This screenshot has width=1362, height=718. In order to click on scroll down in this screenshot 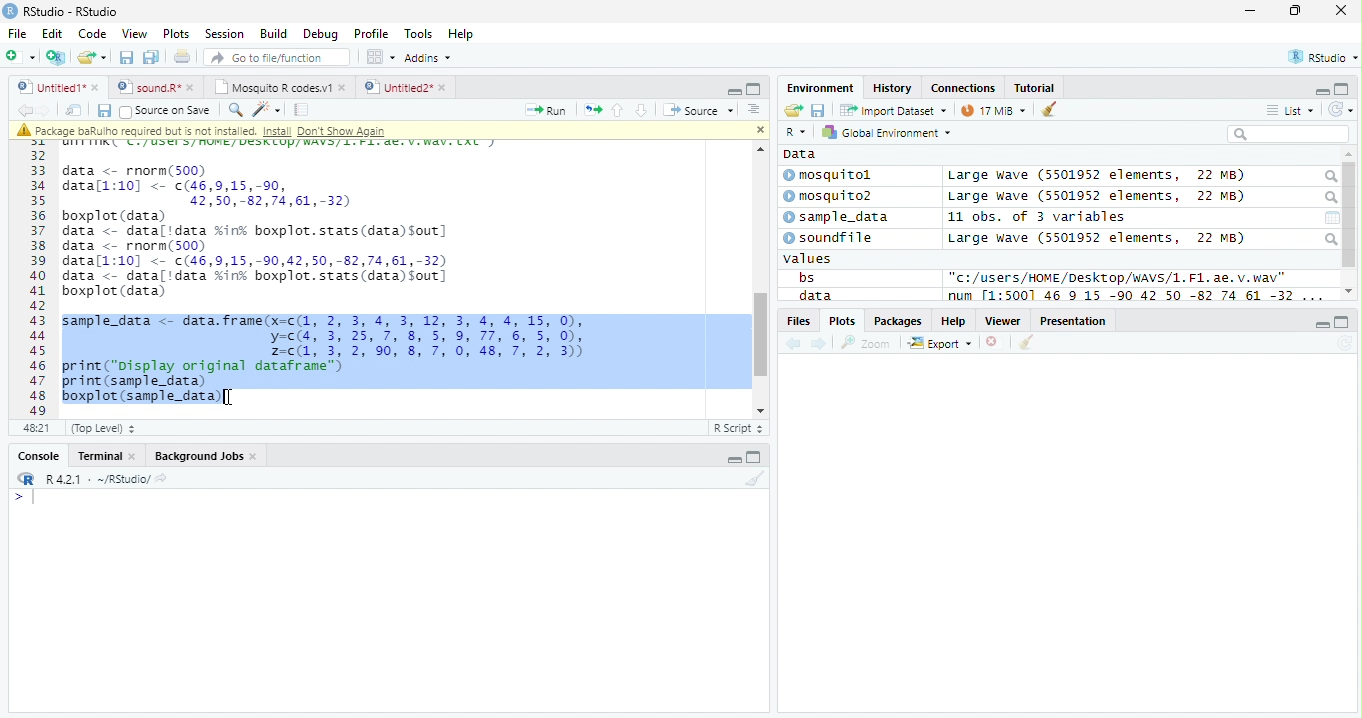, I will do `click(1349, 291)`.